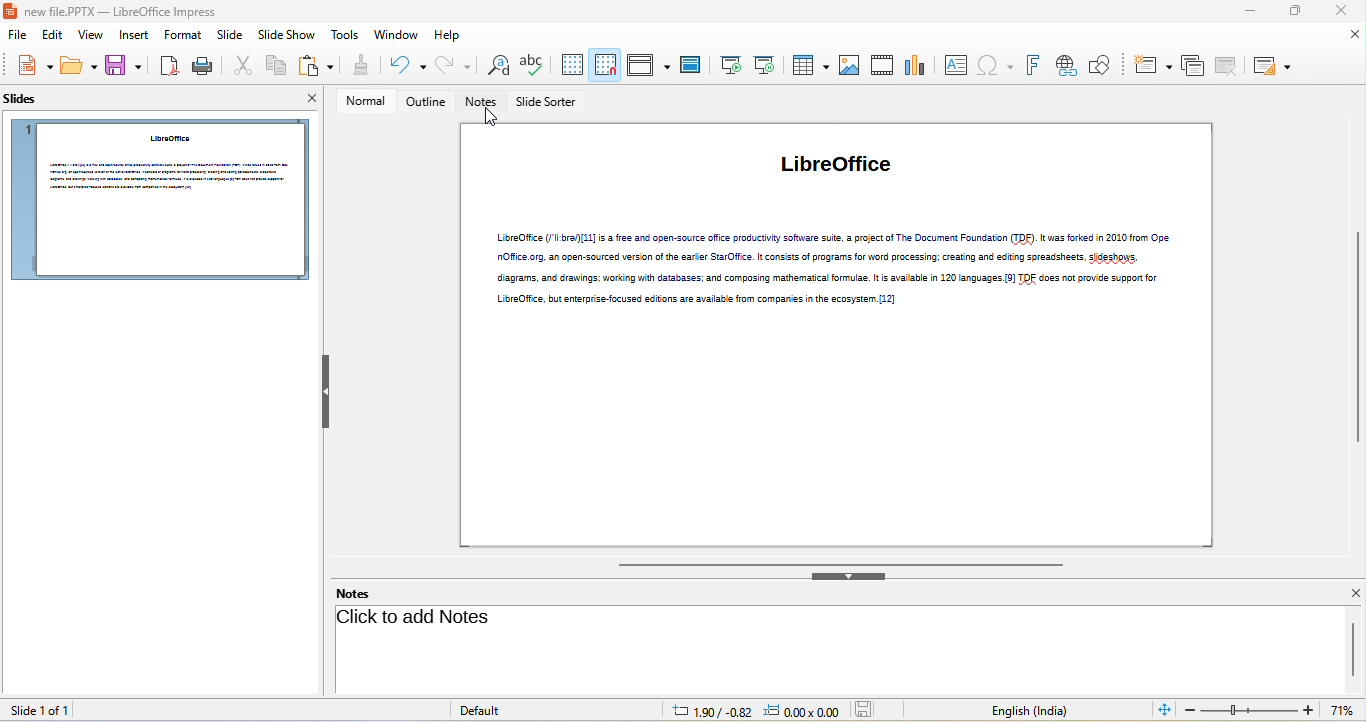 The height and width of the screenshot is (722, 1366). I want to click on new slide, so click(1151, 66).